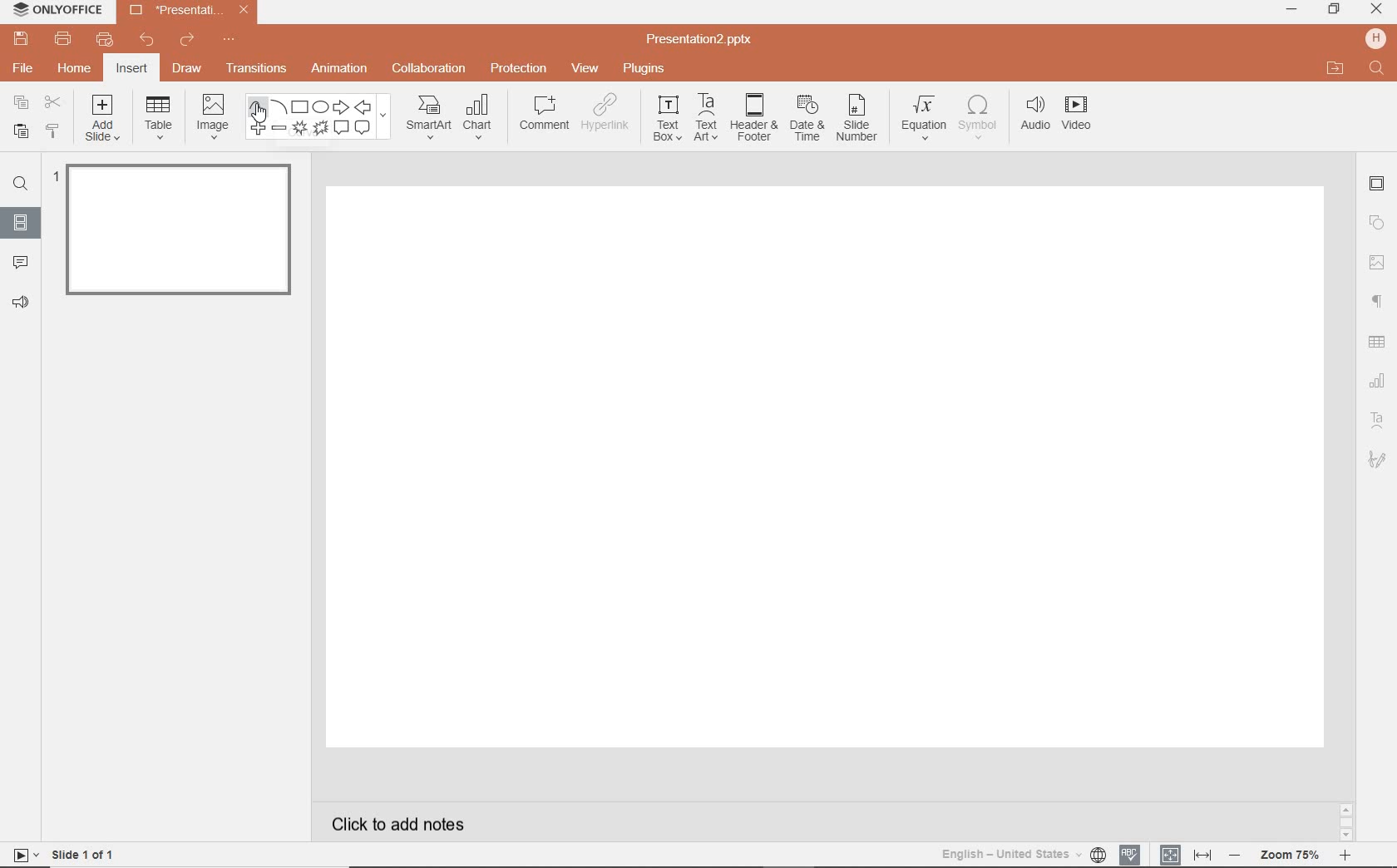 The image size is (1397, 868). I want to click on MINIMIZE, so click(1291, 10).